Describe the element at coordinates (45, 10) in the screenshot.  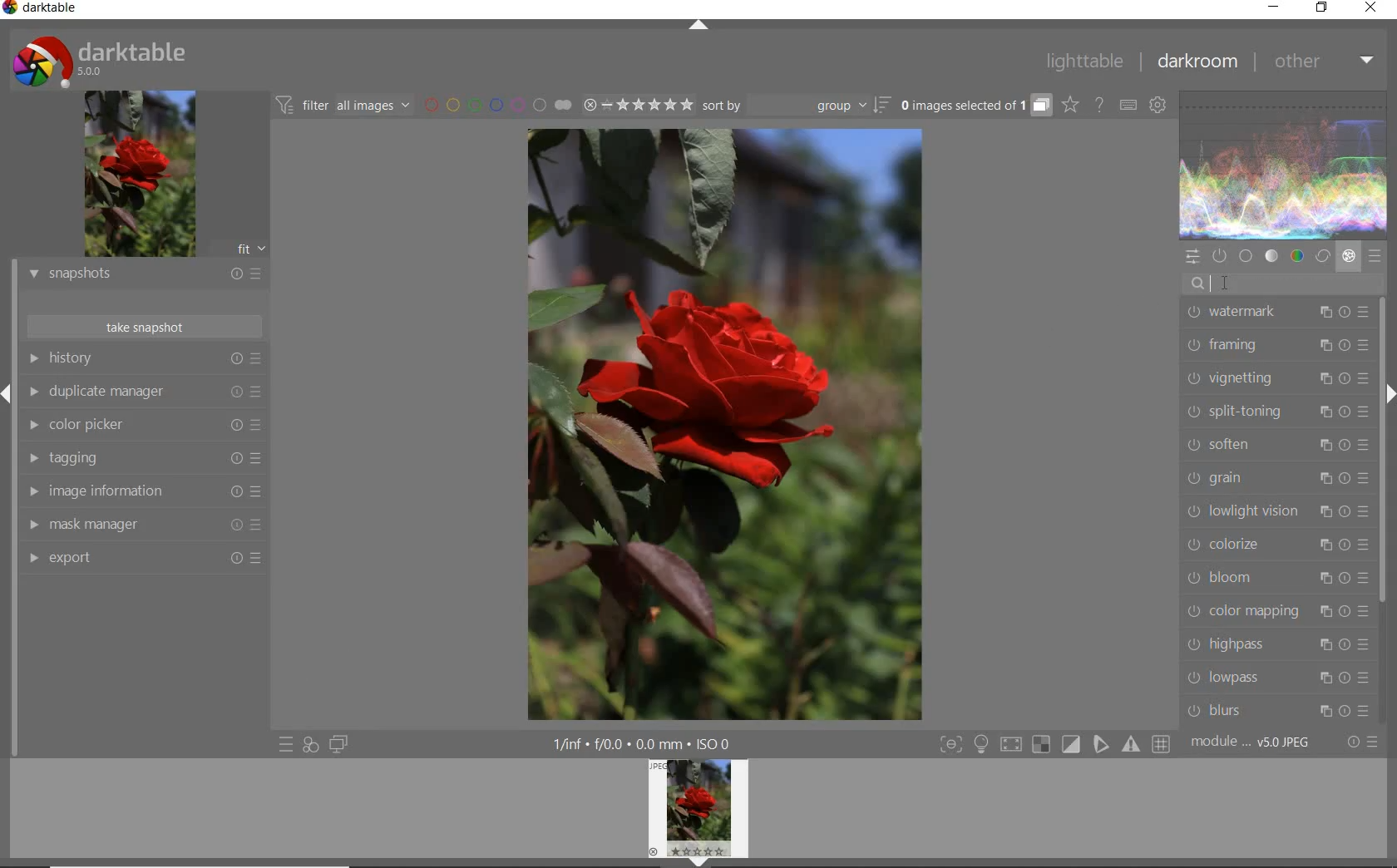
I see `system name` at that location.